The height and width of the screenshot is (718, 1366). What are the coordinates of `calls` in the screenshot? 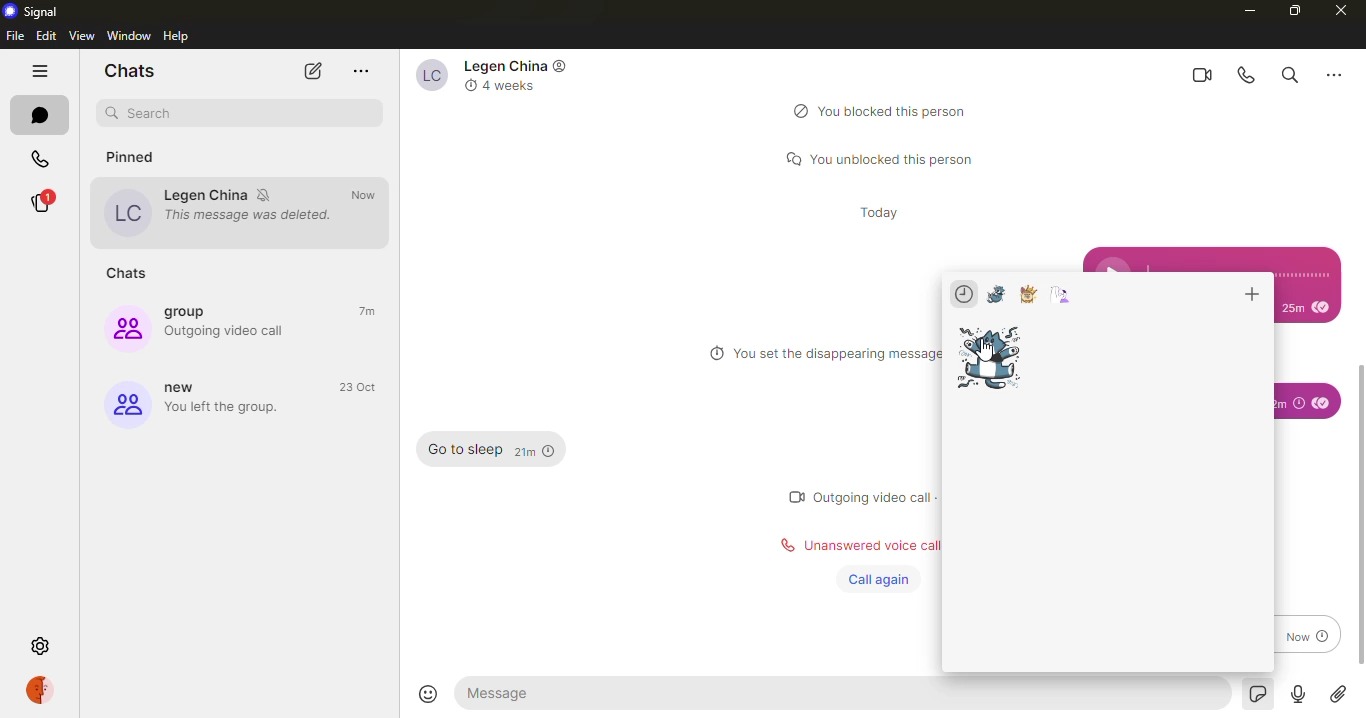 It's located at (37, 159).